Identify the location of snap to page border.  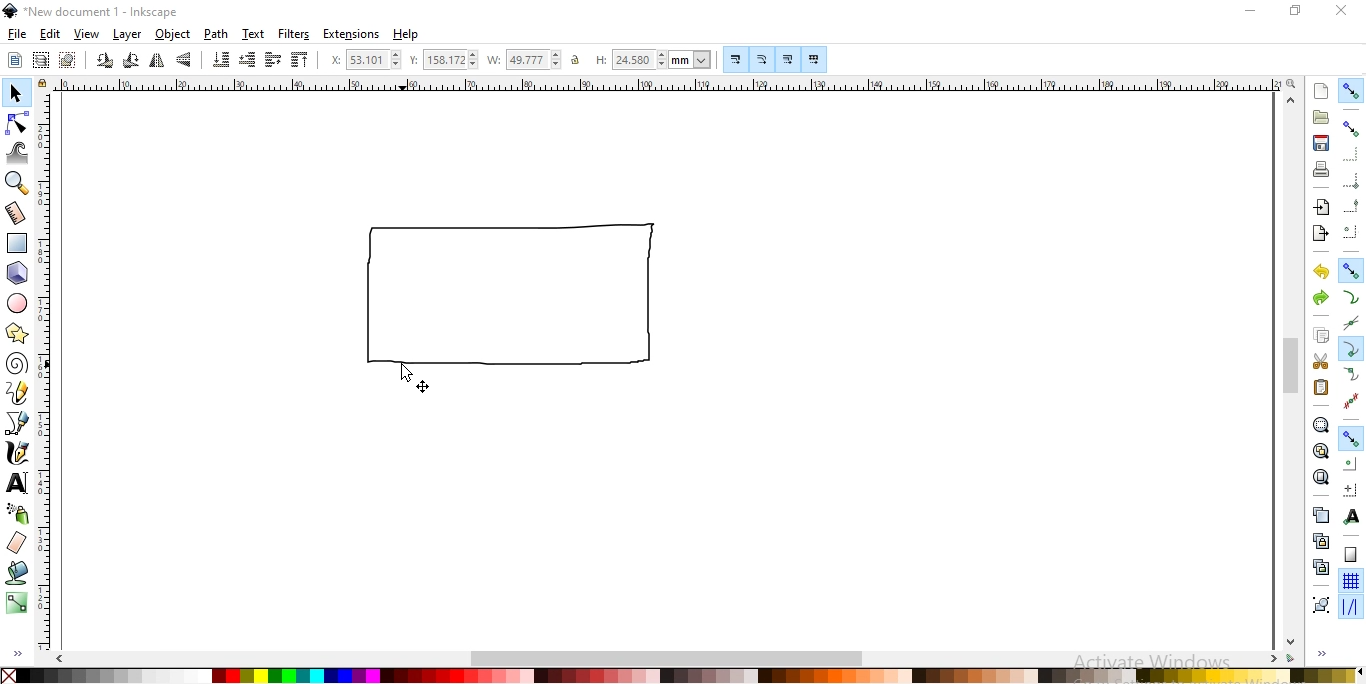
(1351, 554).